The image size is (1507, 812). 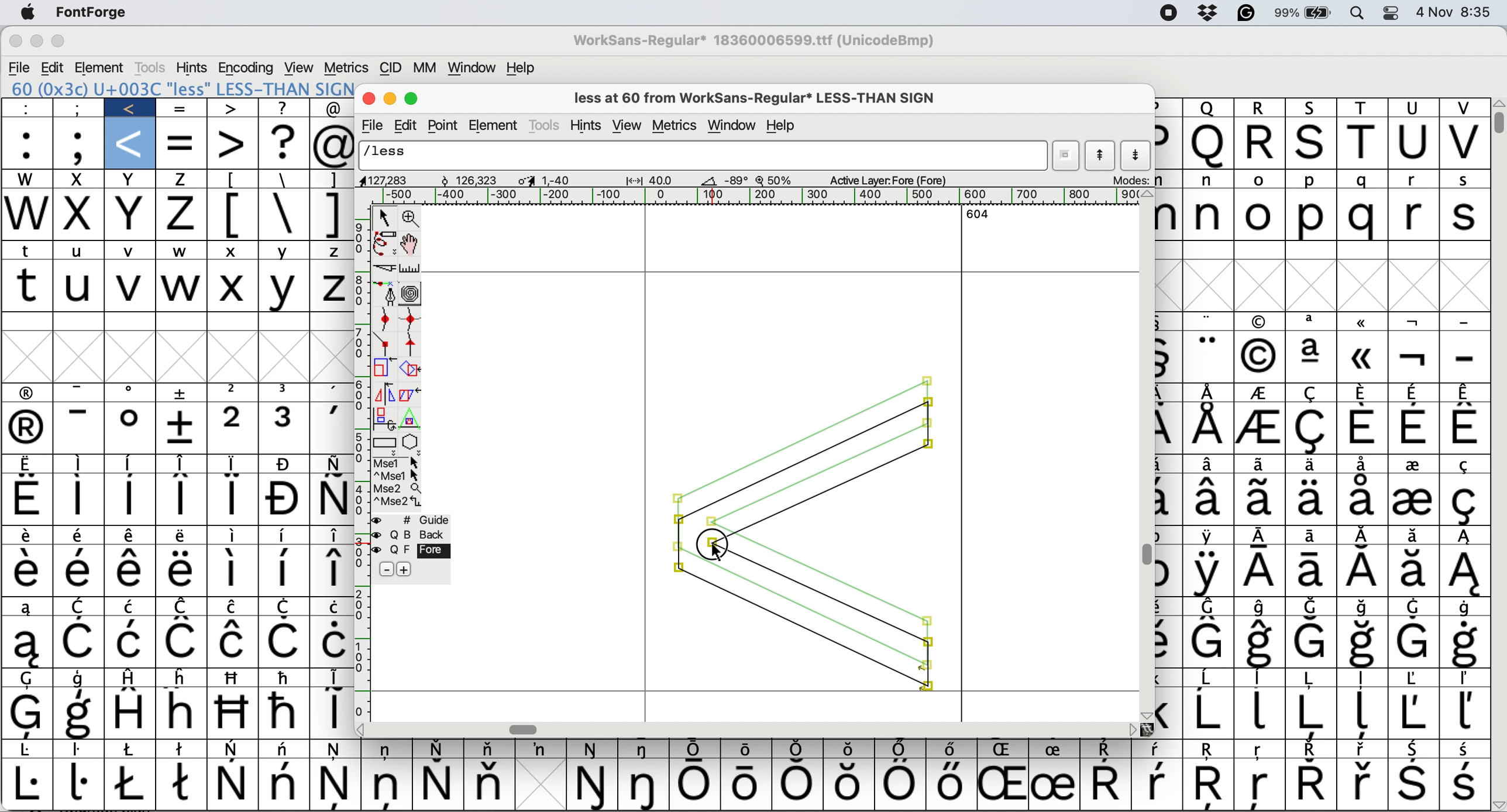 What do you see at coordinates (1309, 216) in the screenshot?
I see `p` at bounding box center [1309, 216].